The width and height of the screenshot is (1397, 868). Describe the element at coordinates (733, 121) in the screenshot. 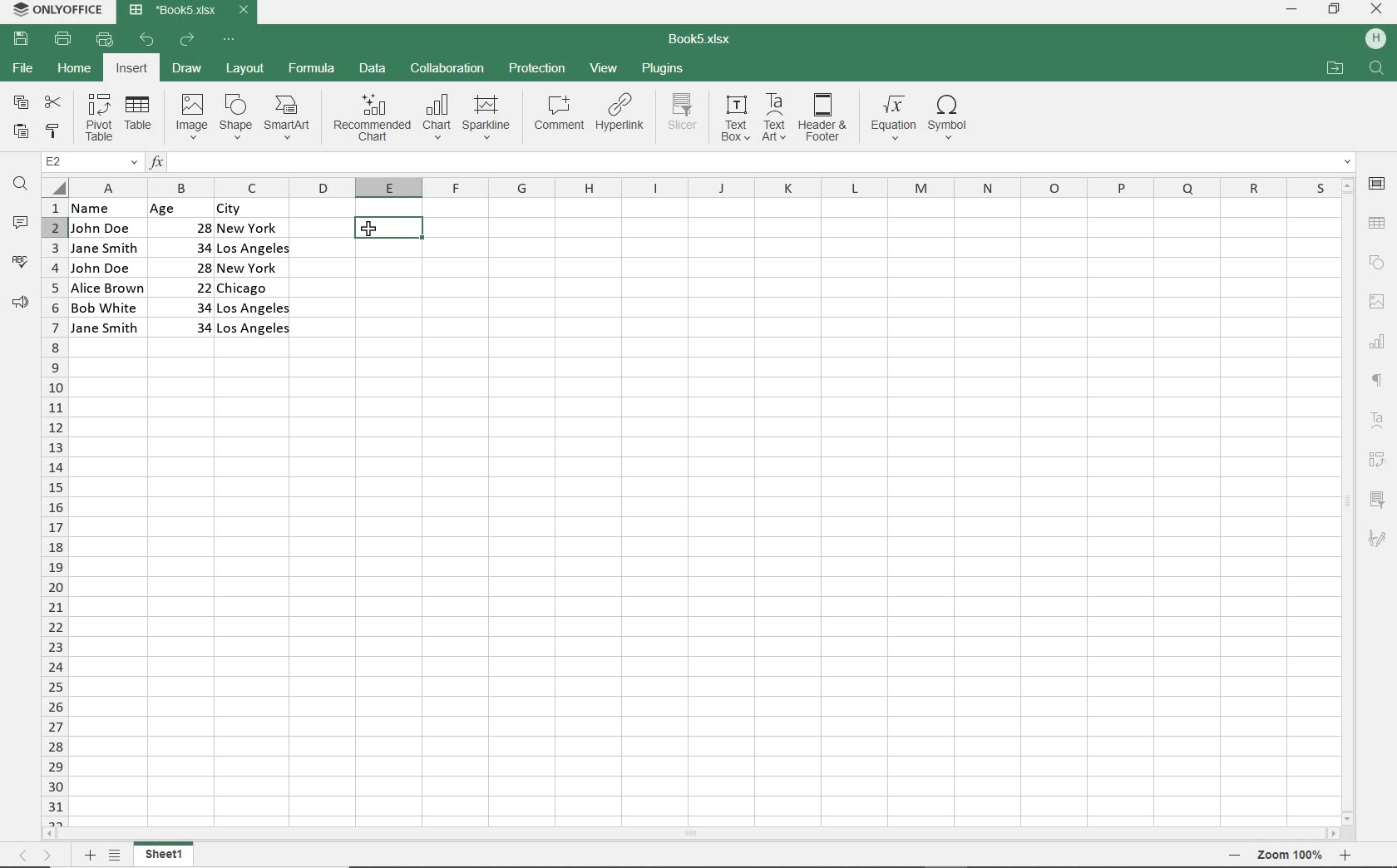

I see `TEXT BOX` at that location.